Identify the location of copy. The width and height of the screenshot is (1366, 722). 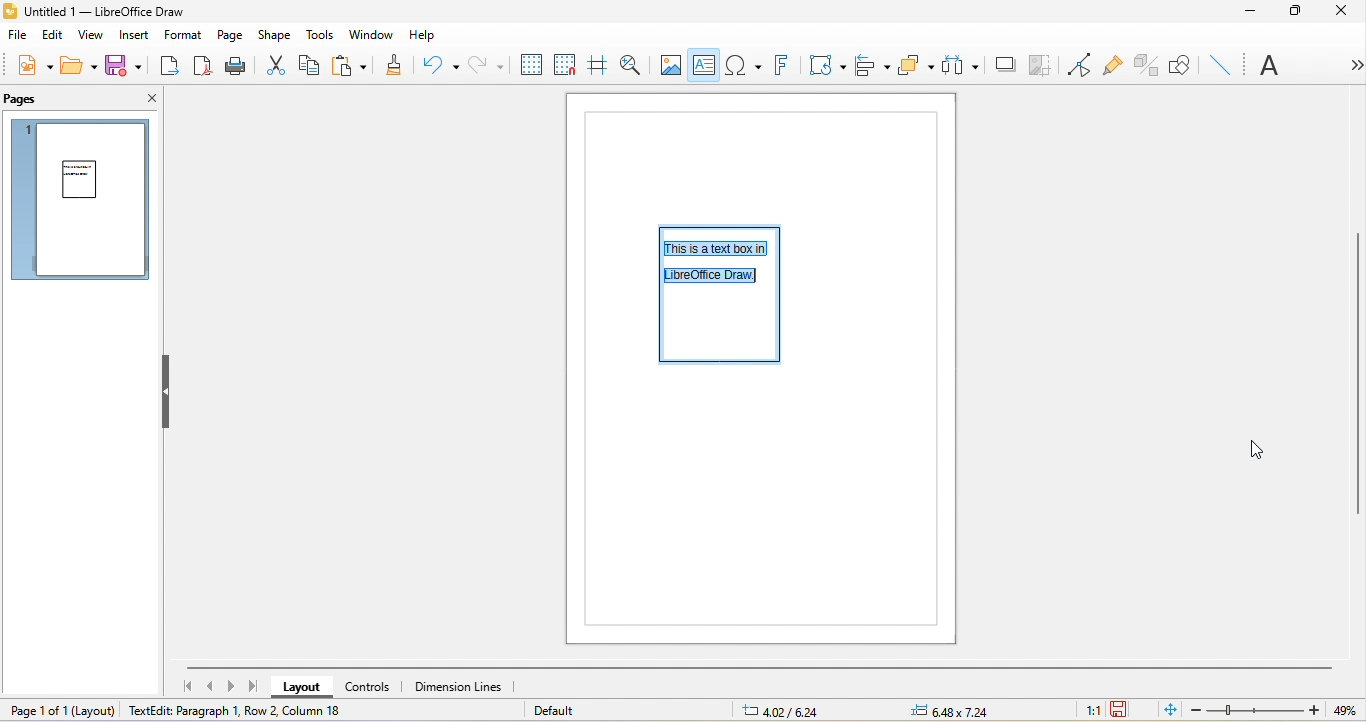
(312, 68).